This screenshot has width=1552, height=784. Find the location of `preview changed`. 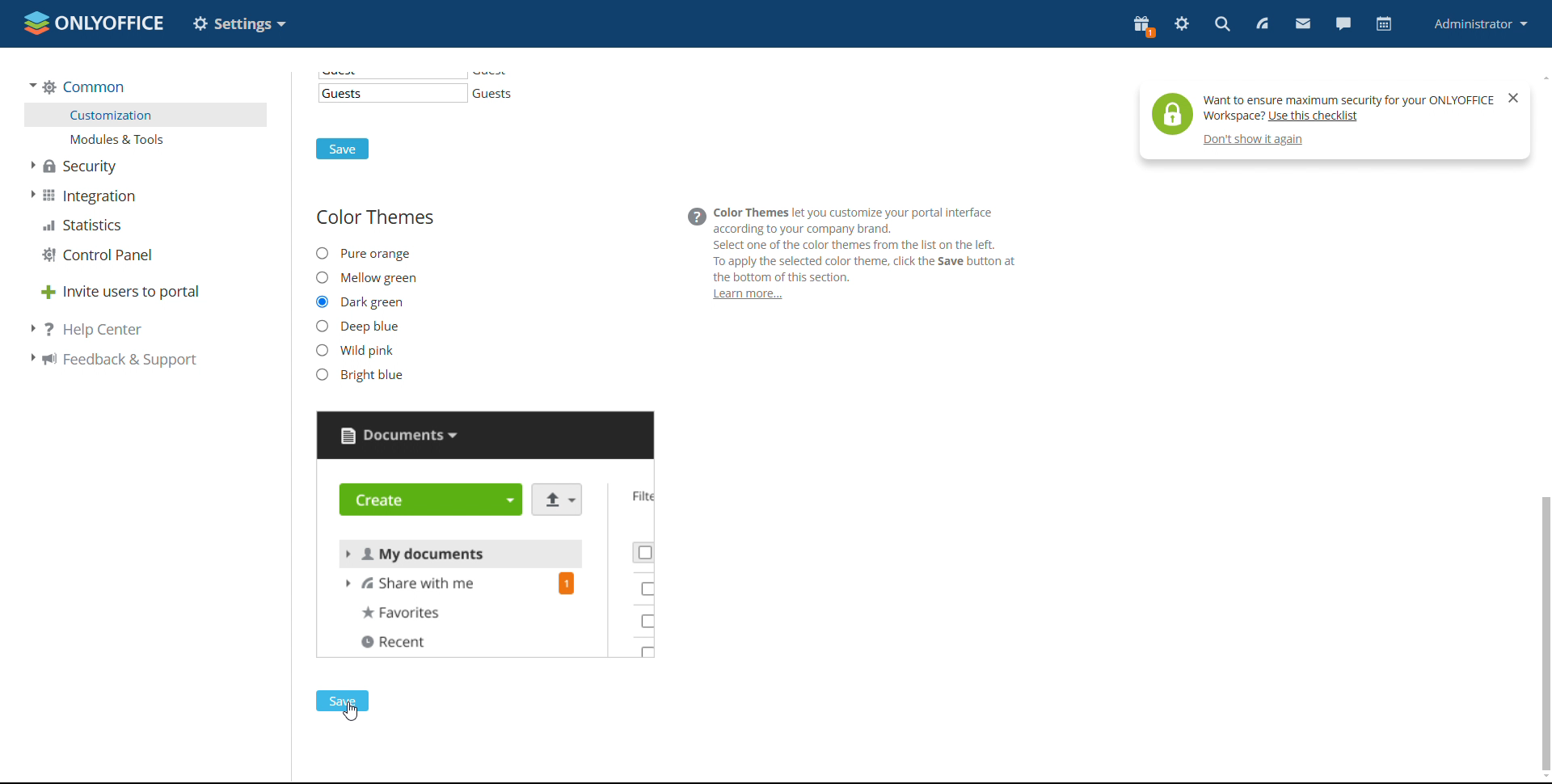

preview changed is located at coordinates (487, 534).